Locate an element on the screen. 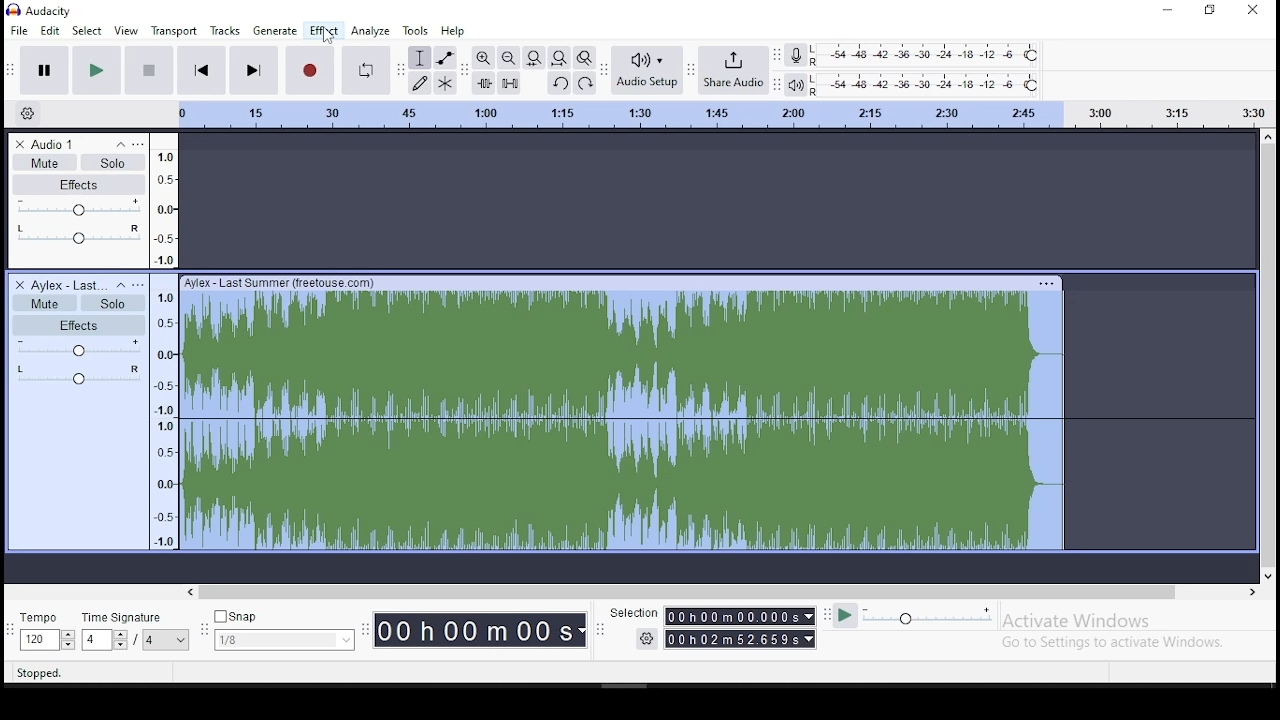 Image resolution: width=1280 pixels, height=720 pixels. scroll bar is located at coordinates (725, 592).